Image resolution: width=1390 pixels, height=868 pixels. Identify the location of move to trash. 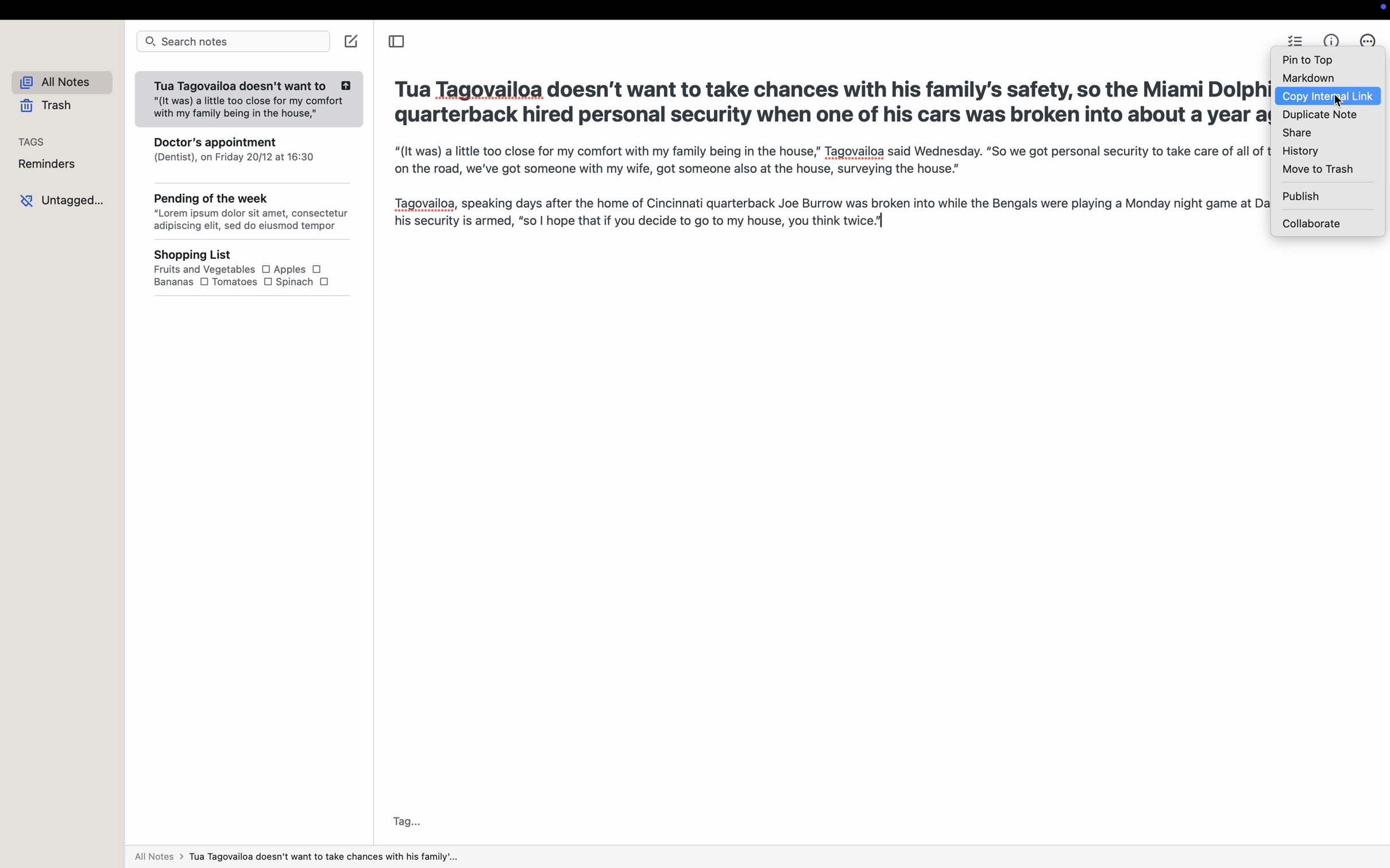
(1317, 169).